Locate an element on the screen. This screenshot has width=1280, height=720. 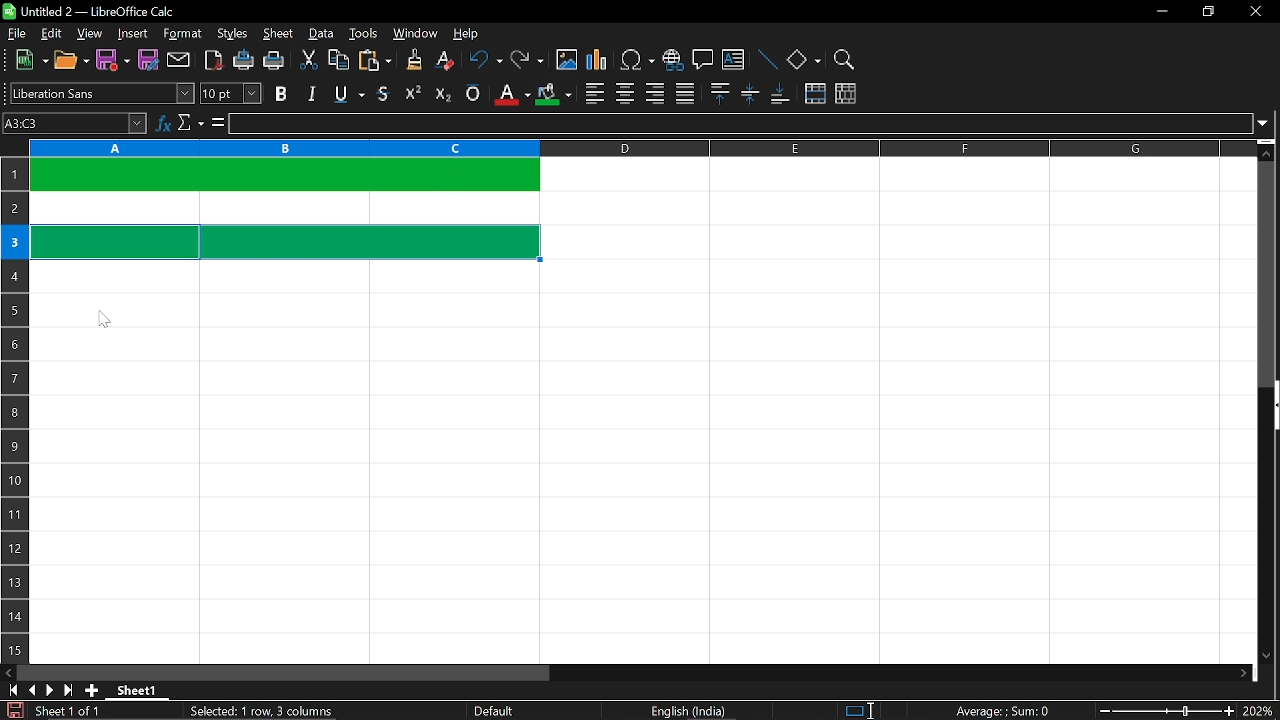
insert symbol is located at coordinates (638, 59).